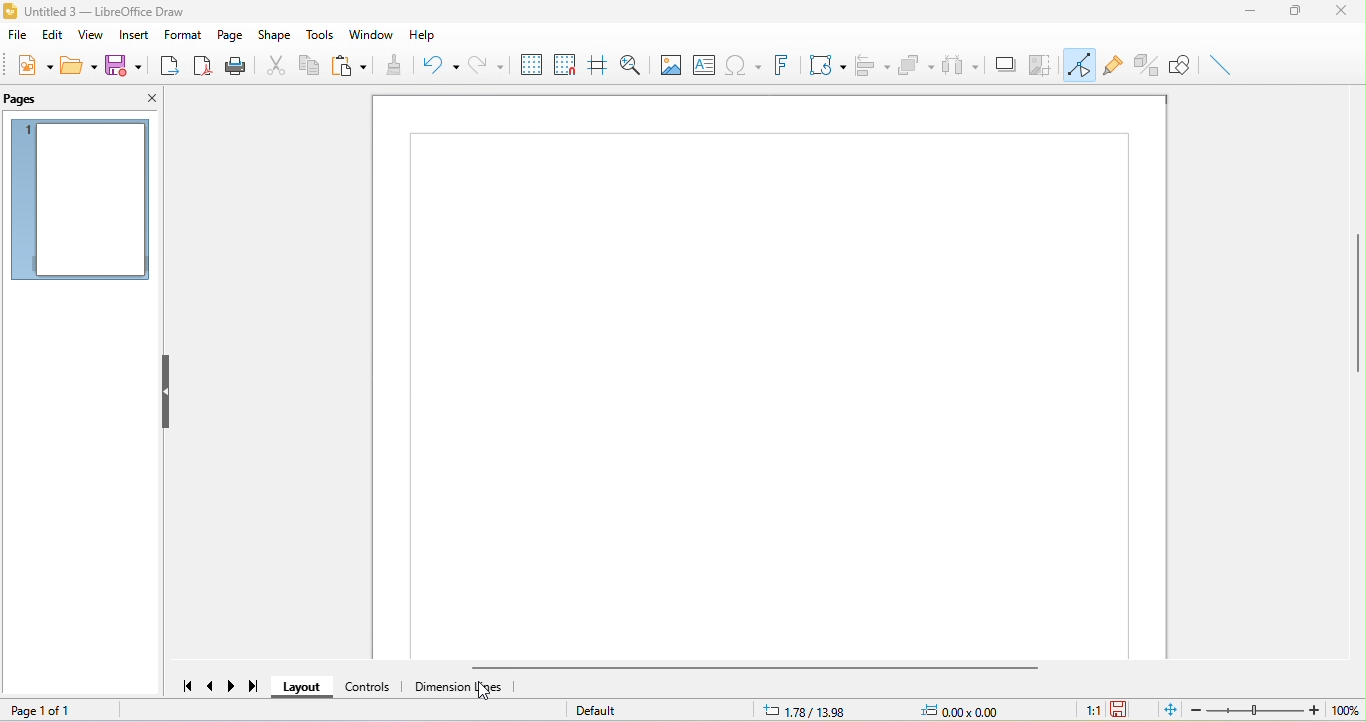  What do you see at coordinates (532, 63) in the screenshot?
I see `display to grid` at bounding box center [532, 63].